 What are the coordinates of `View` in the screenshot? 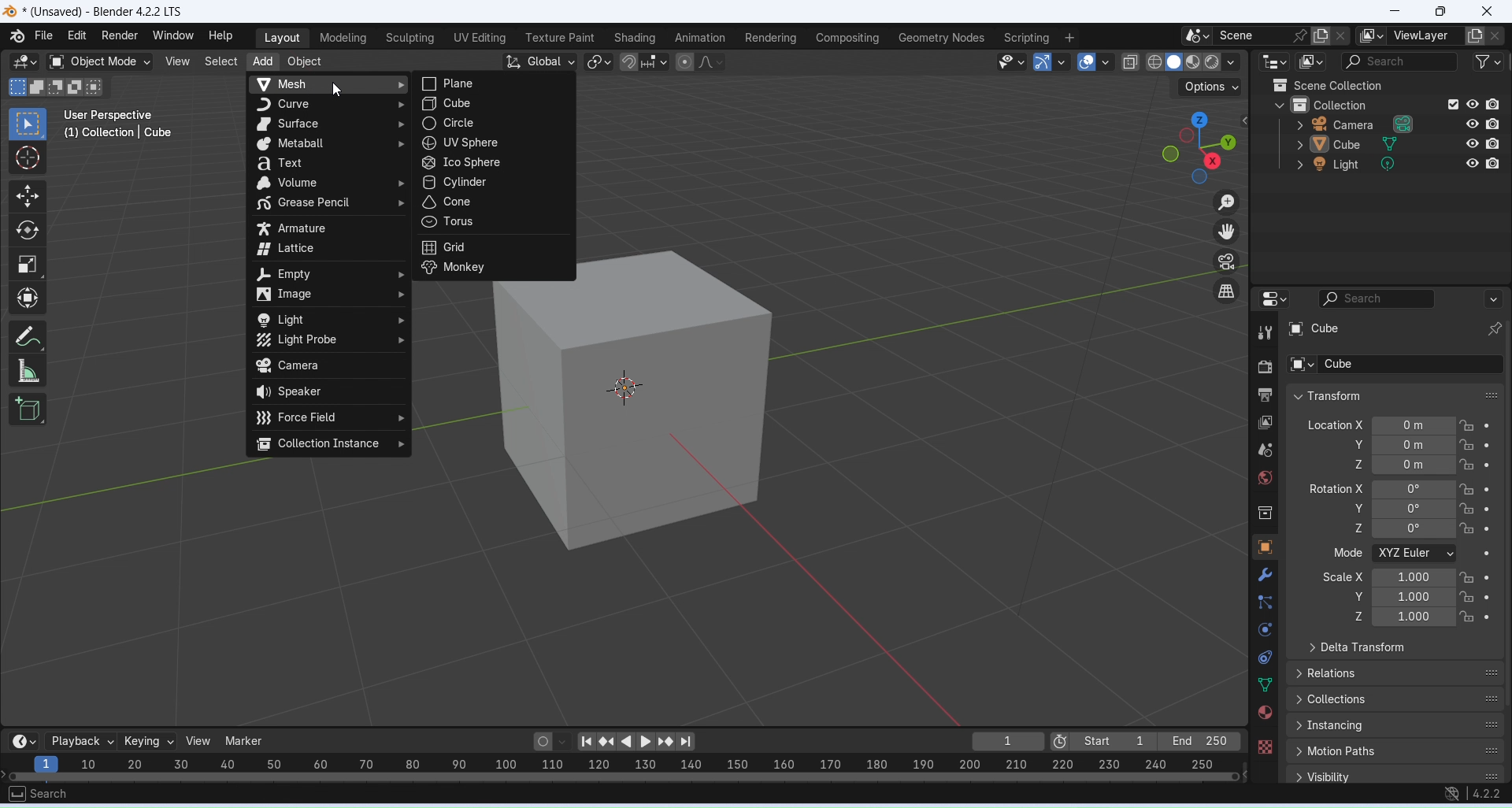 It's located at (178, 60).